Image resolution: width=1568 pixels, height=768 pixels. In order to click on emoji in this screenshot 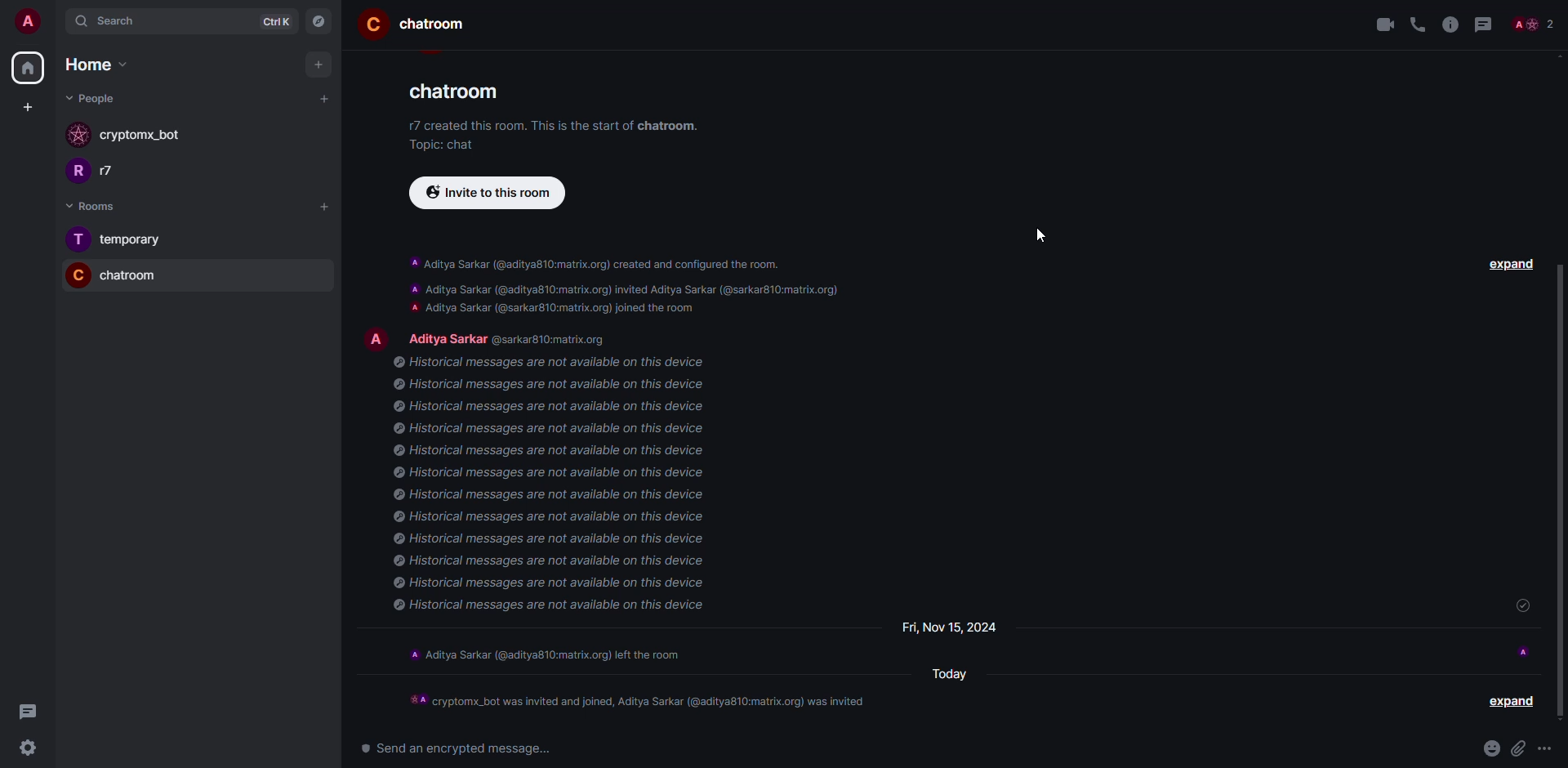, I will do `click(1490, 747)`.